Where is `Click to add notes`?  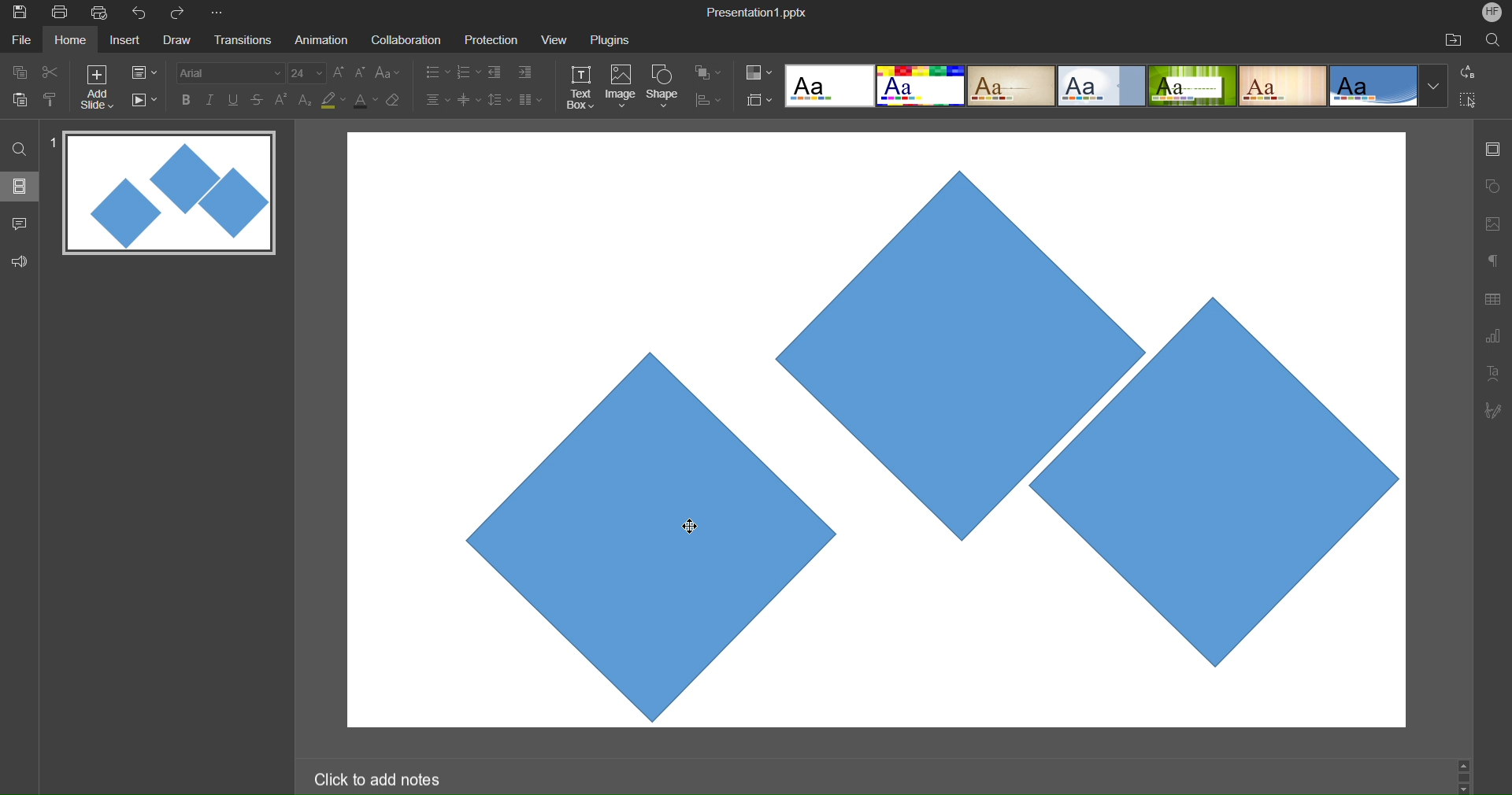
Click to add notes is located at coordinates (376, 778).